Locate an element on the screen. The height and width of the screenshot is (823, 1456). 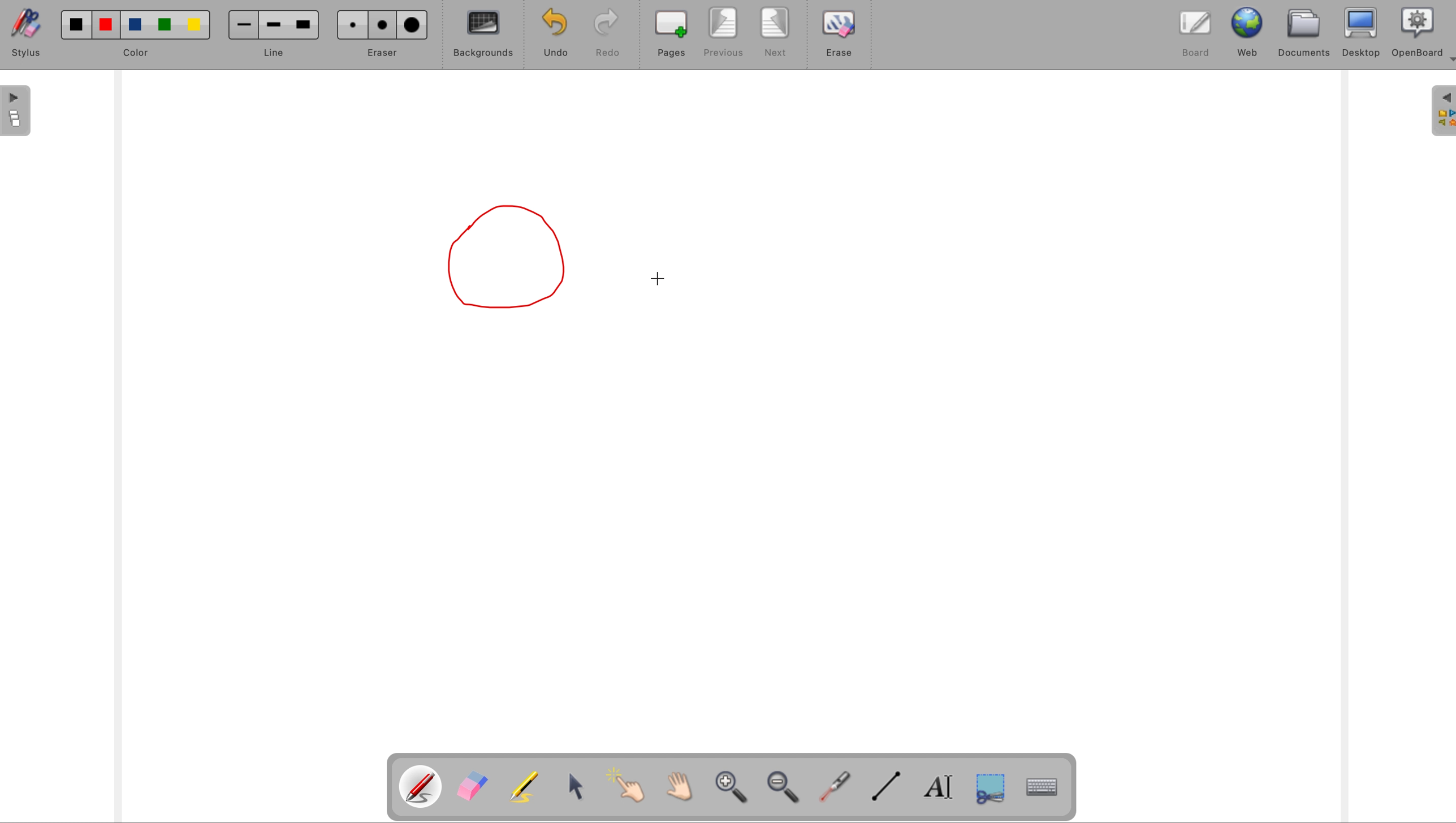
erase is located at coordinates (836, 34).